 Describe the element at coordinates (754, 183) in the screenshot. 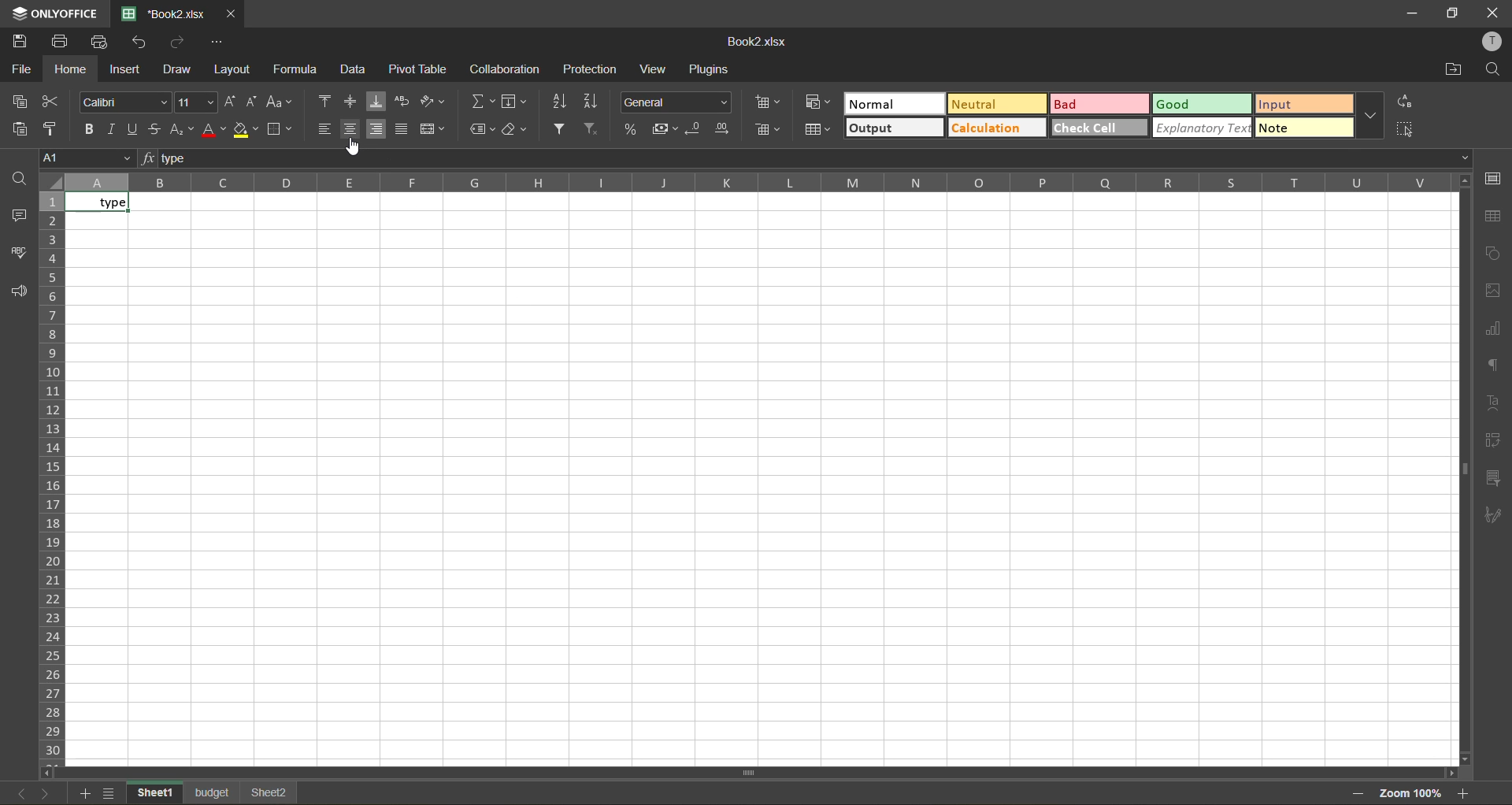

I see `column names` at that location.